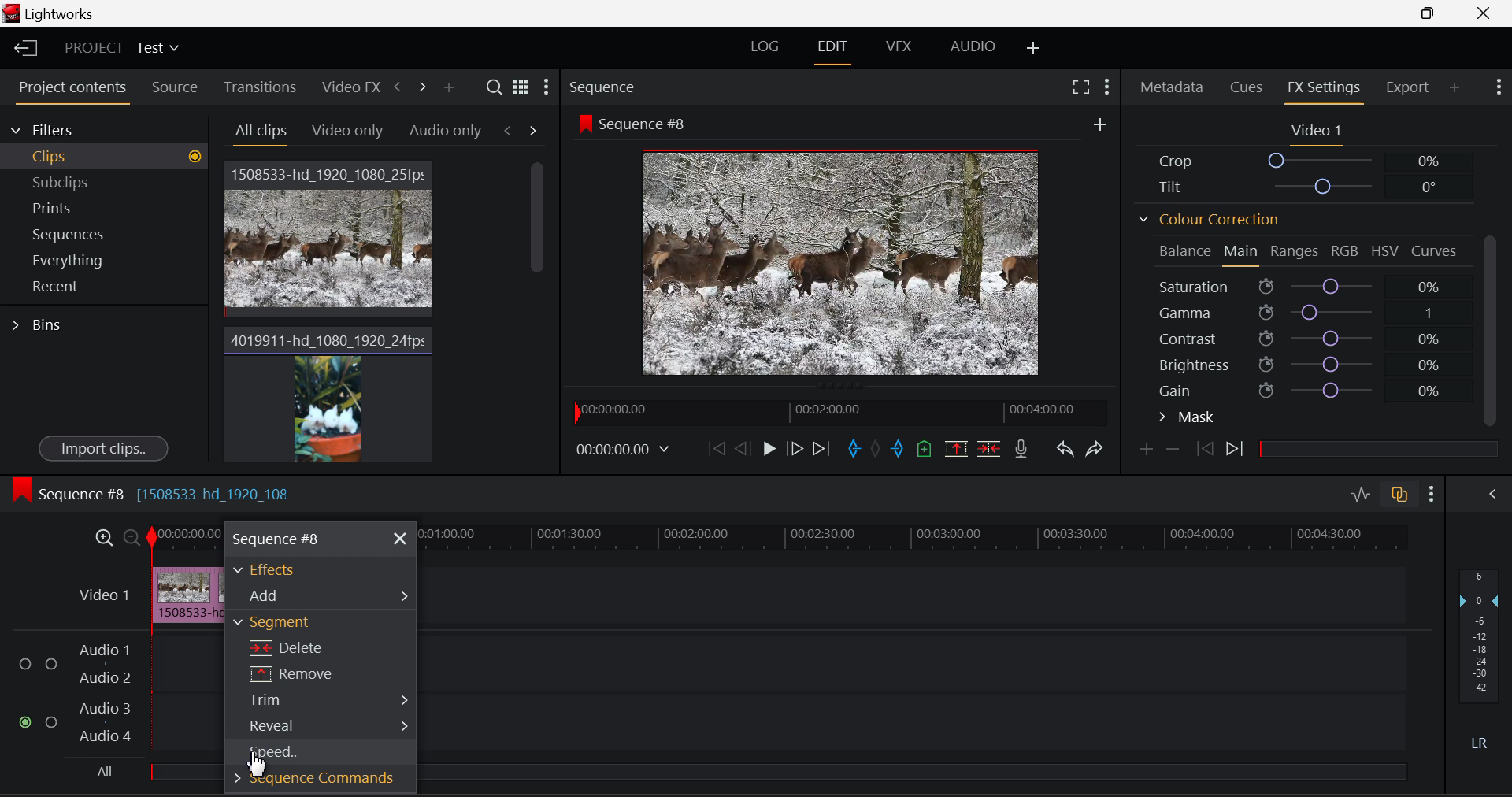  Describe the element at coordinates (451, 88) in the screenshot. I see `Add panel` at that location.